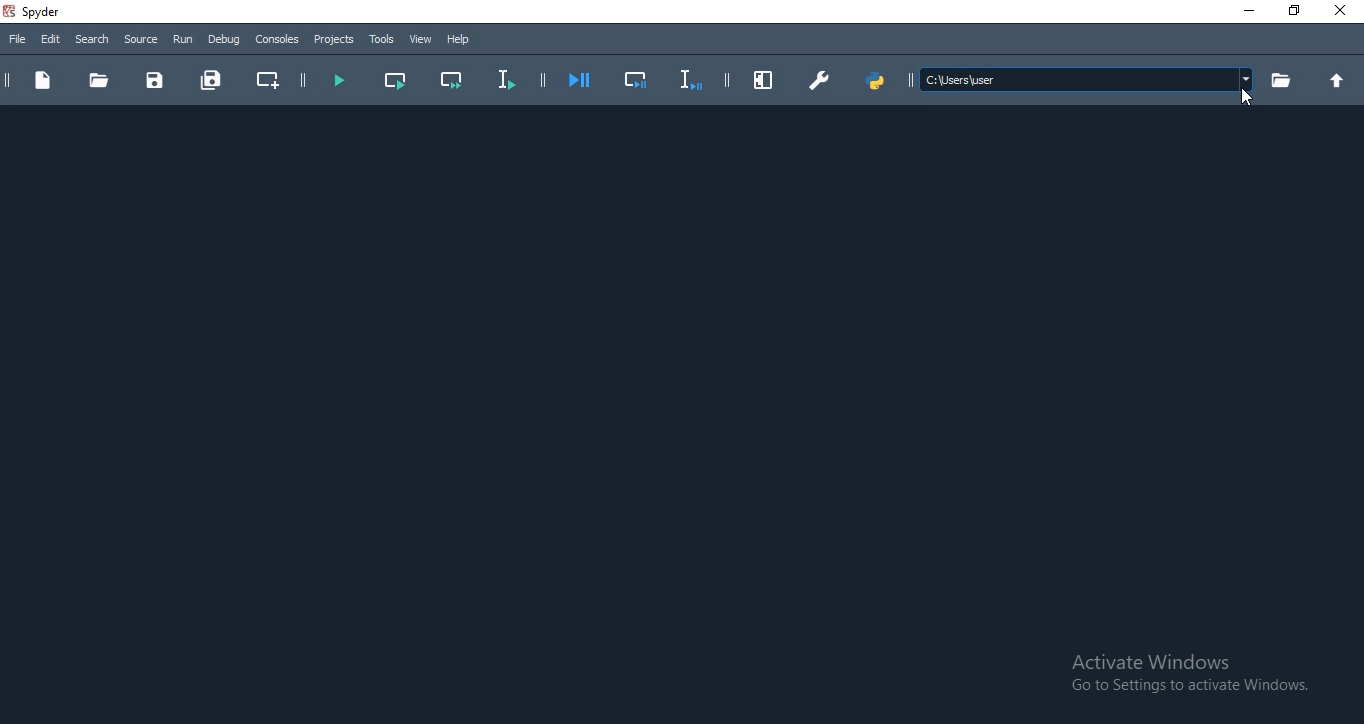 Image resolution: width=1364 pixels, height=724 pixels. I want to click on Default Start Pane, so click(678, 413).